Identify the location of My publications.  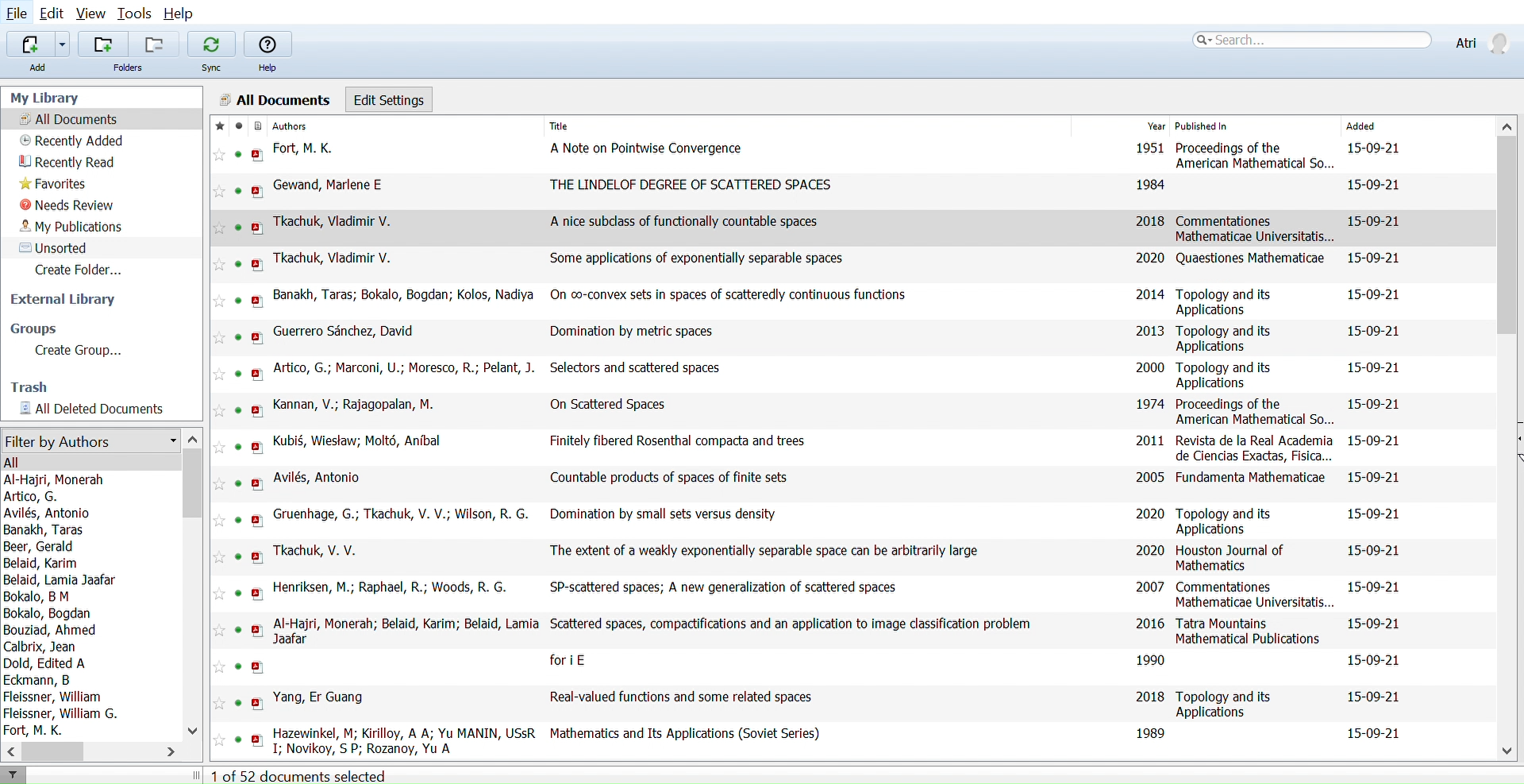
(73, 227).